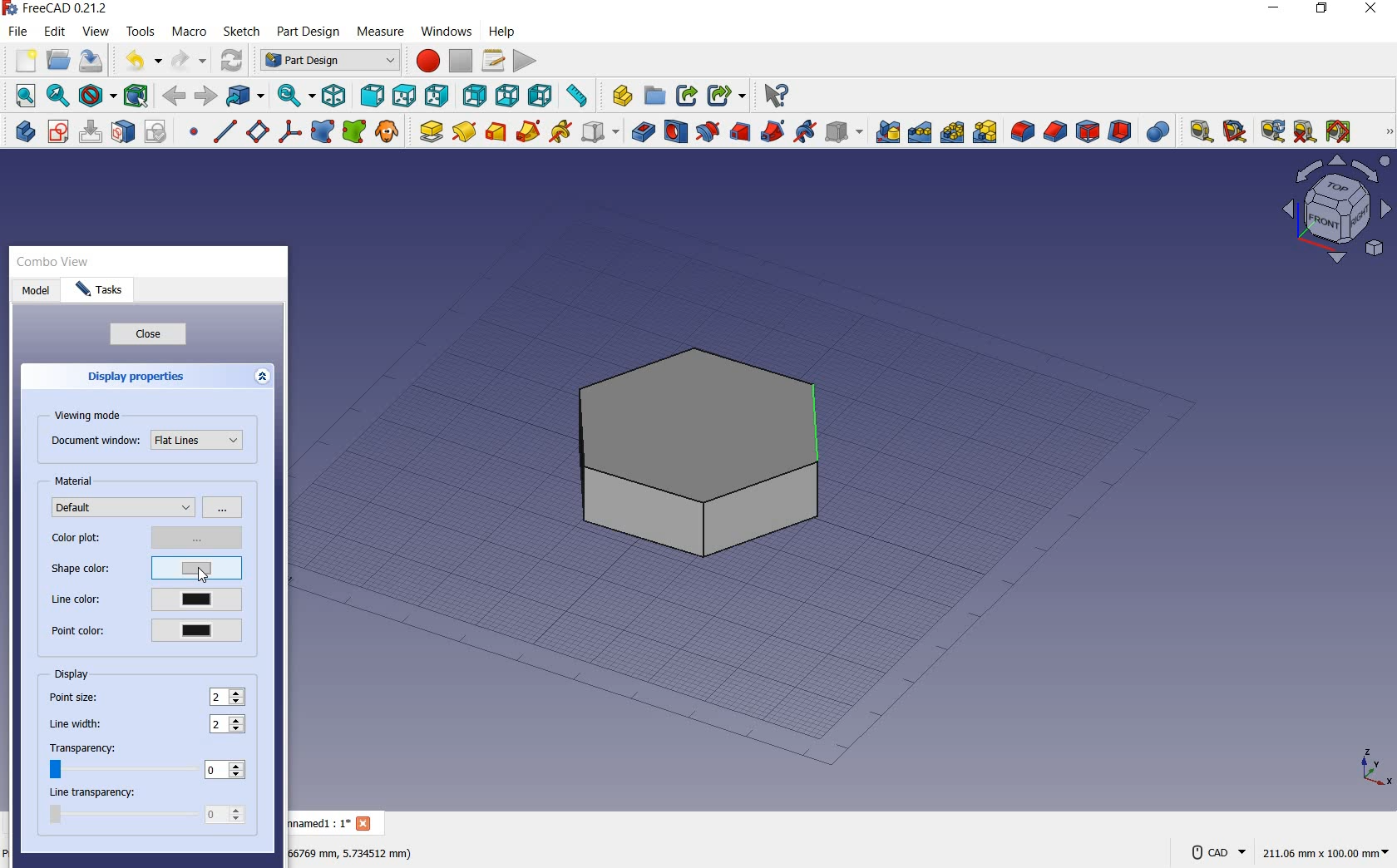 Image resolution: width=1397 pixels, height=868 pixels. Describe the element at coordinates (59, 59) in the screenshot. I see `open` at that location.